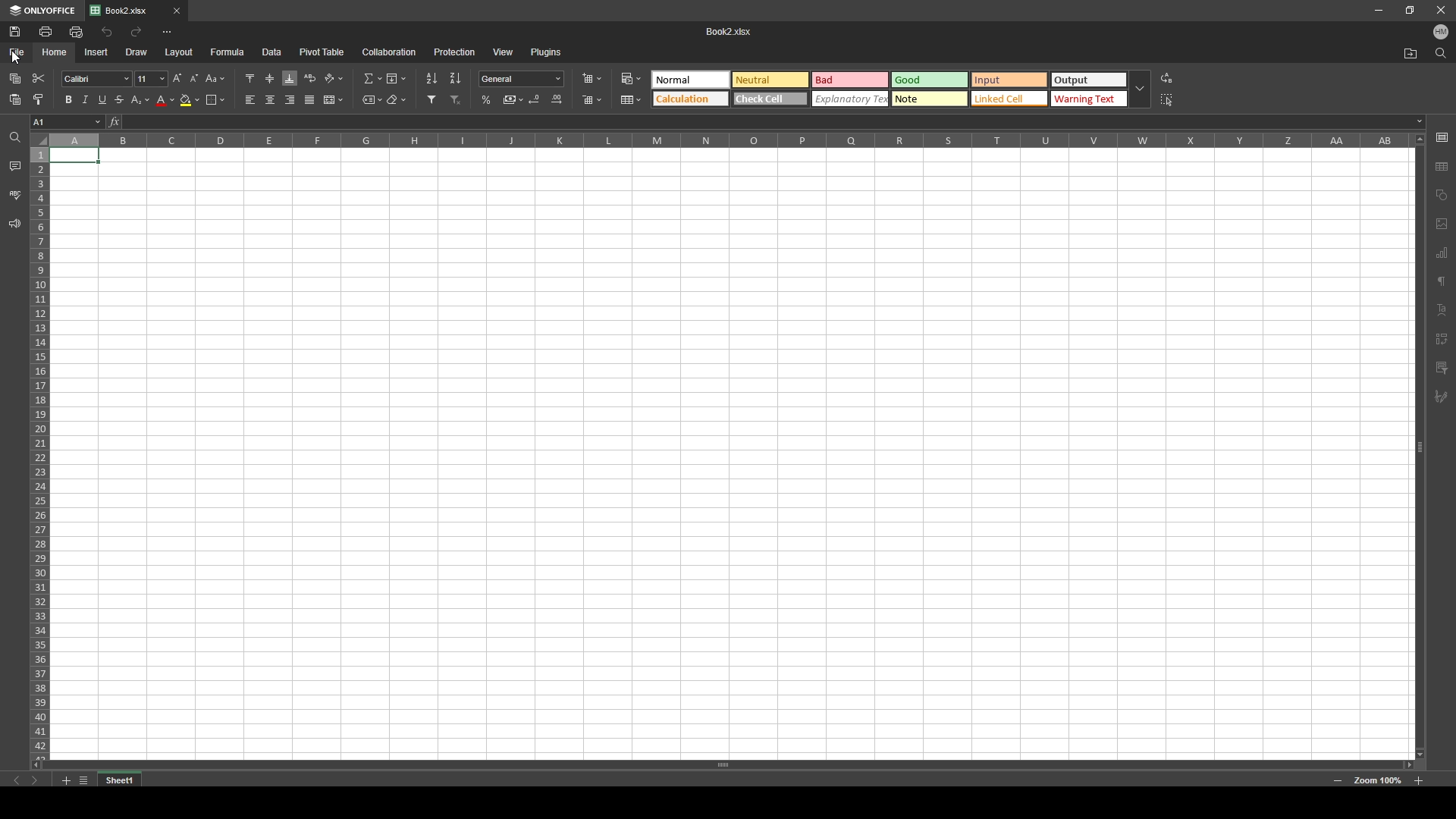 Image resolution: width=1456 pixels, height=819 pixels. I want to click on layout, so click(180, 52).